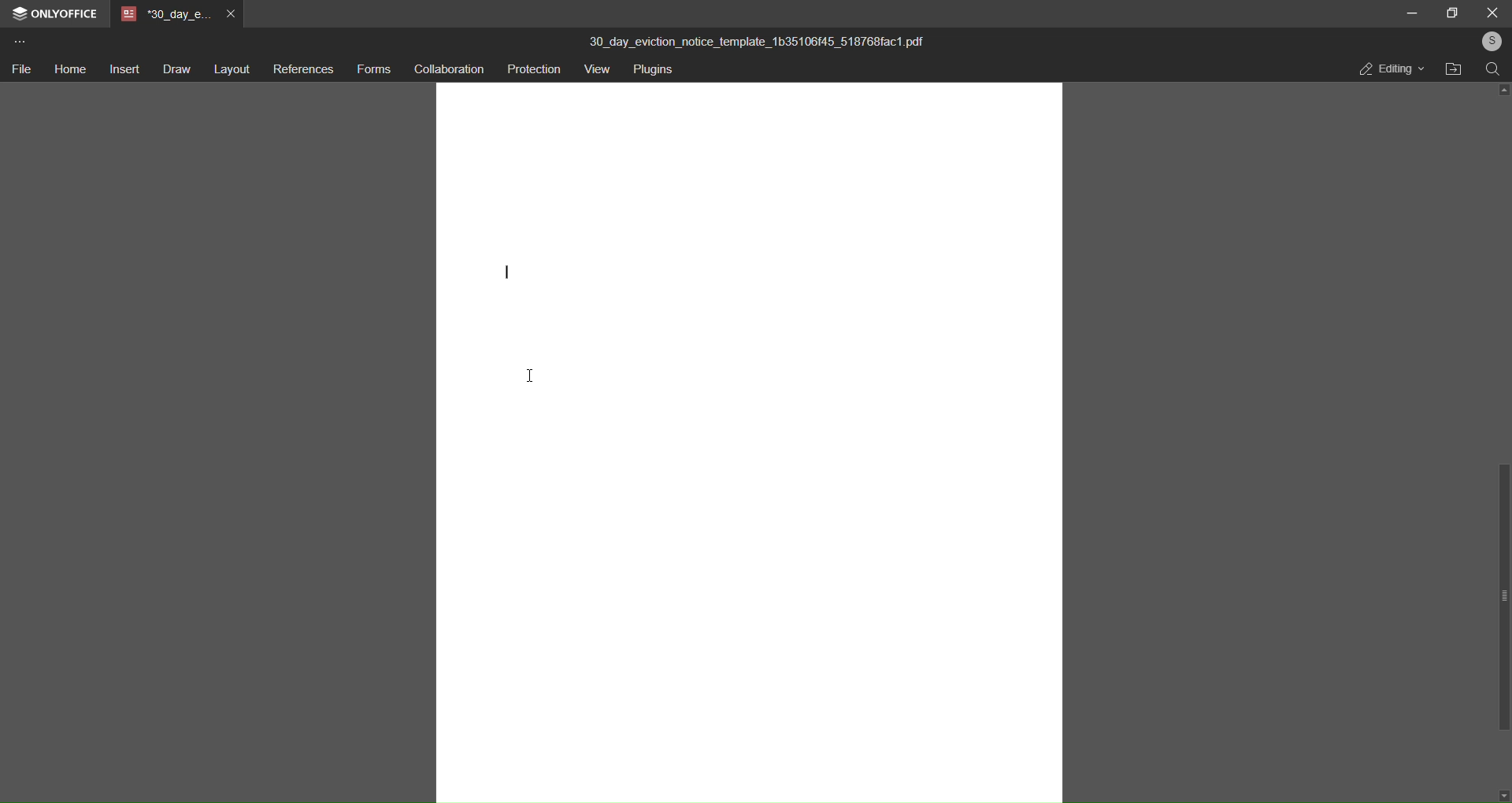 The height and width of the screenshot is (803, 1512). Describe the element at coordinates (1410, 13) in the screenshot. I see `minimize` at that location.